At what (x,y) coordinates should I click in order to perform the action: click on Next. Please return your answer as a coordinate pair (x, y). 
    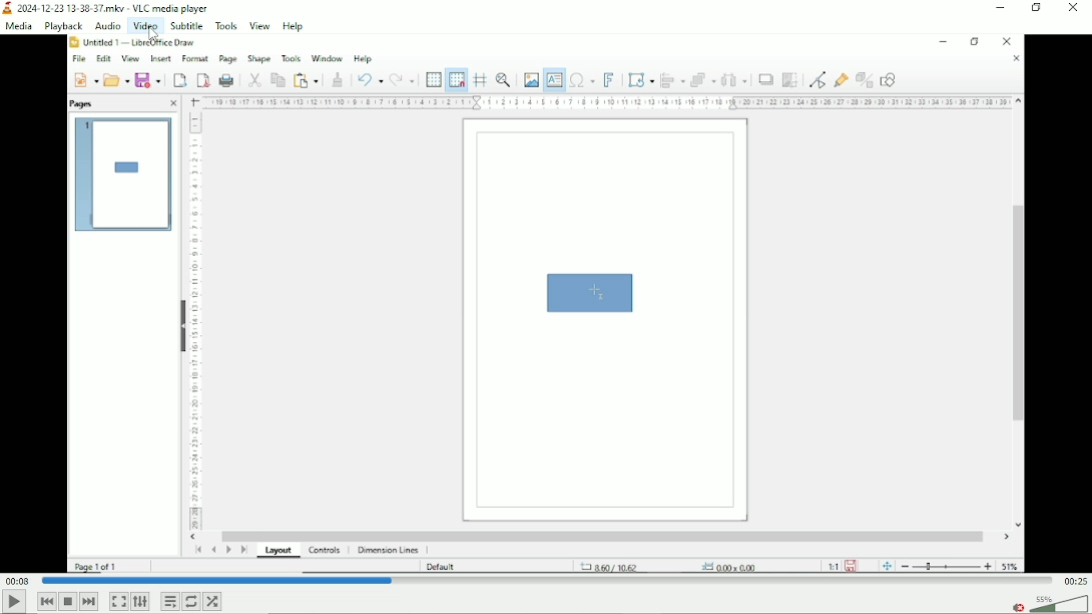
    Looking at the image, I should click on (89, 601).